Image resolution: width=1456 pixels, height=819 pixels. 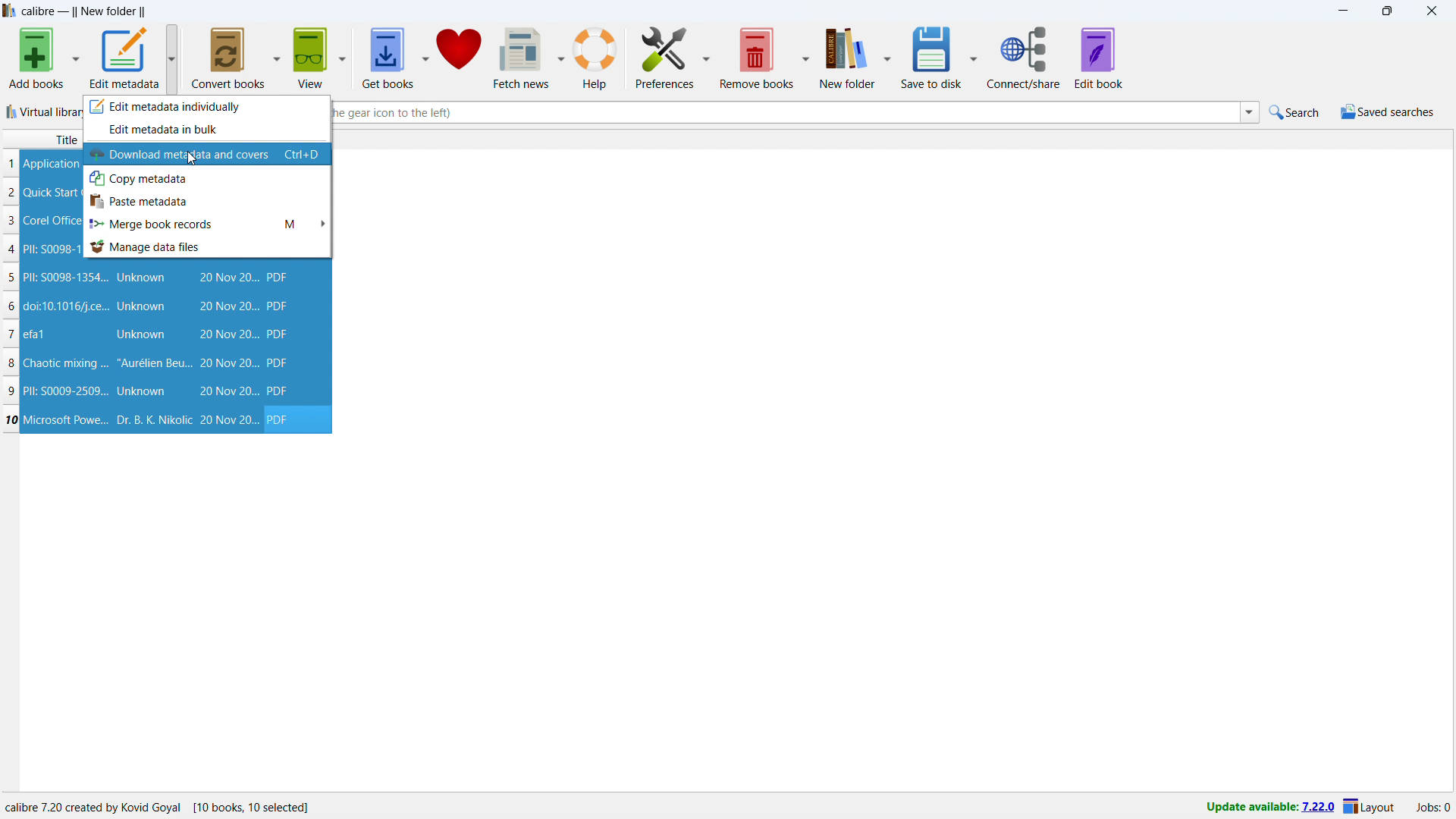 What do you see at coordinates (1370, 808) in the screenshot?
I see `layout` at bounding box center [1370, 808].